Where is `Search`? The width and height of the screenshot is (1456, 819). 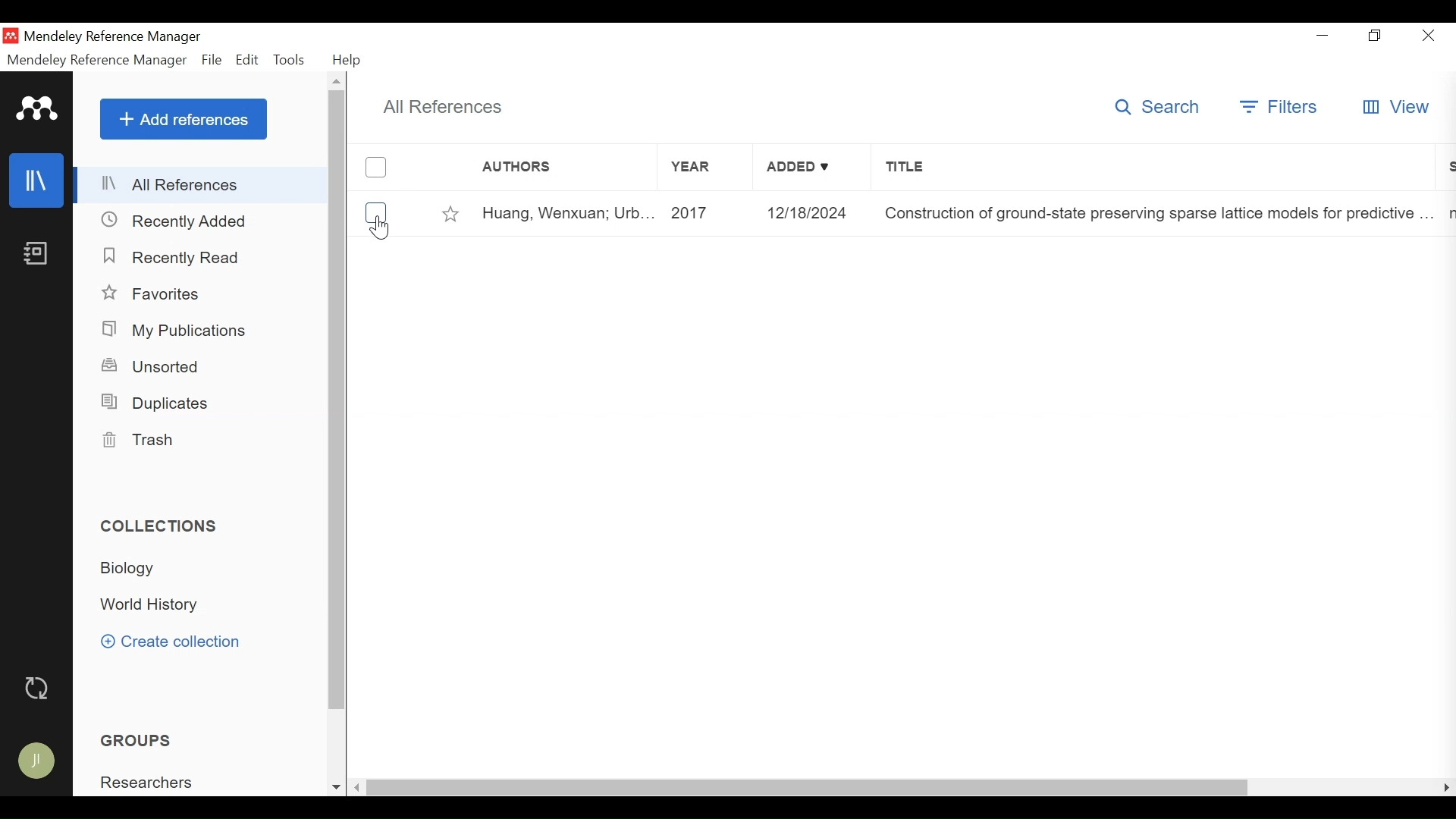
Search is located at coordinates (1156, 109).